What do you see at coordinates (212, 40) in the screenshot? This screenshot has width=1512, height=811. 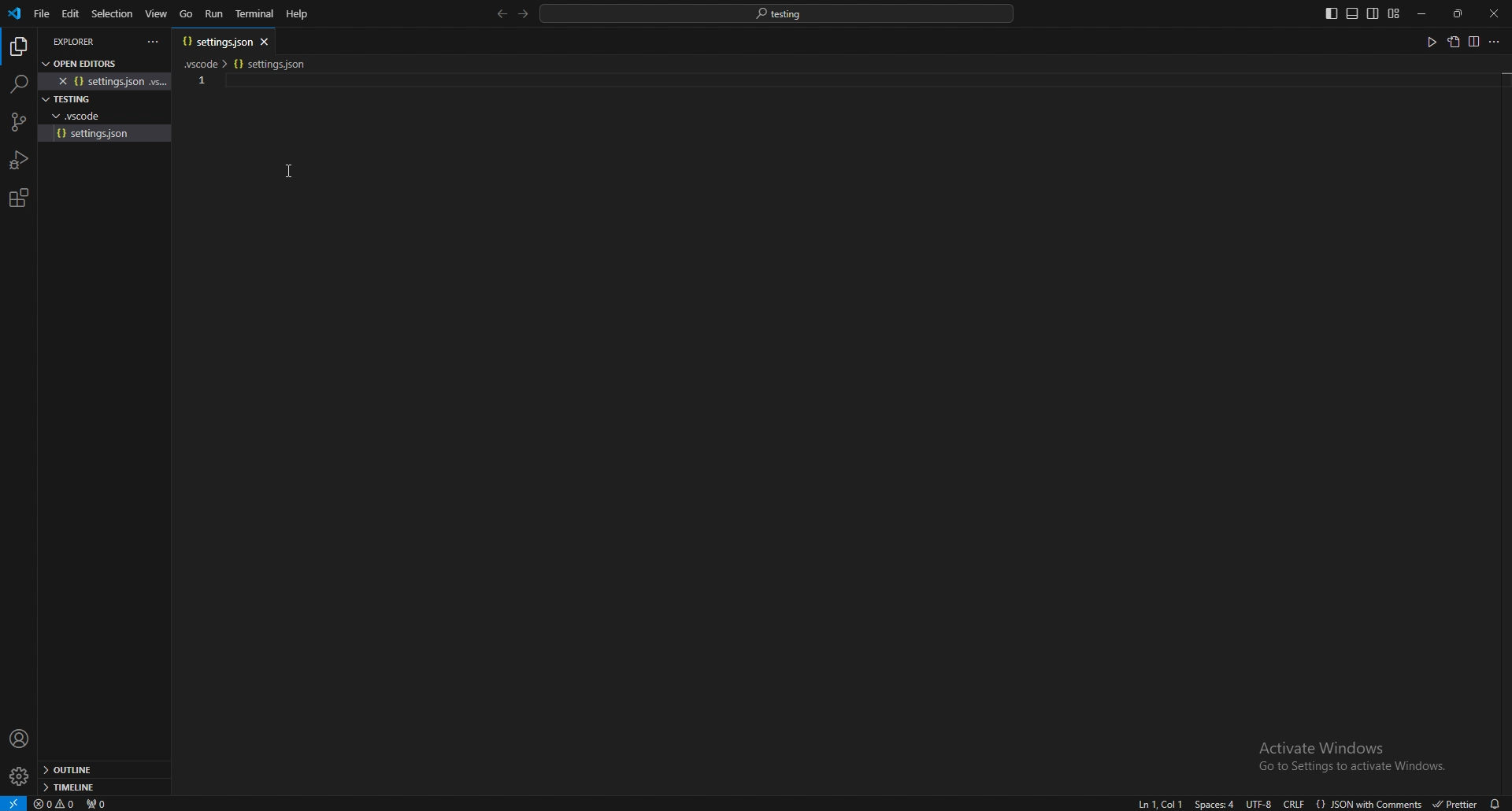 I see `tab` at bounding box center [212, 40].